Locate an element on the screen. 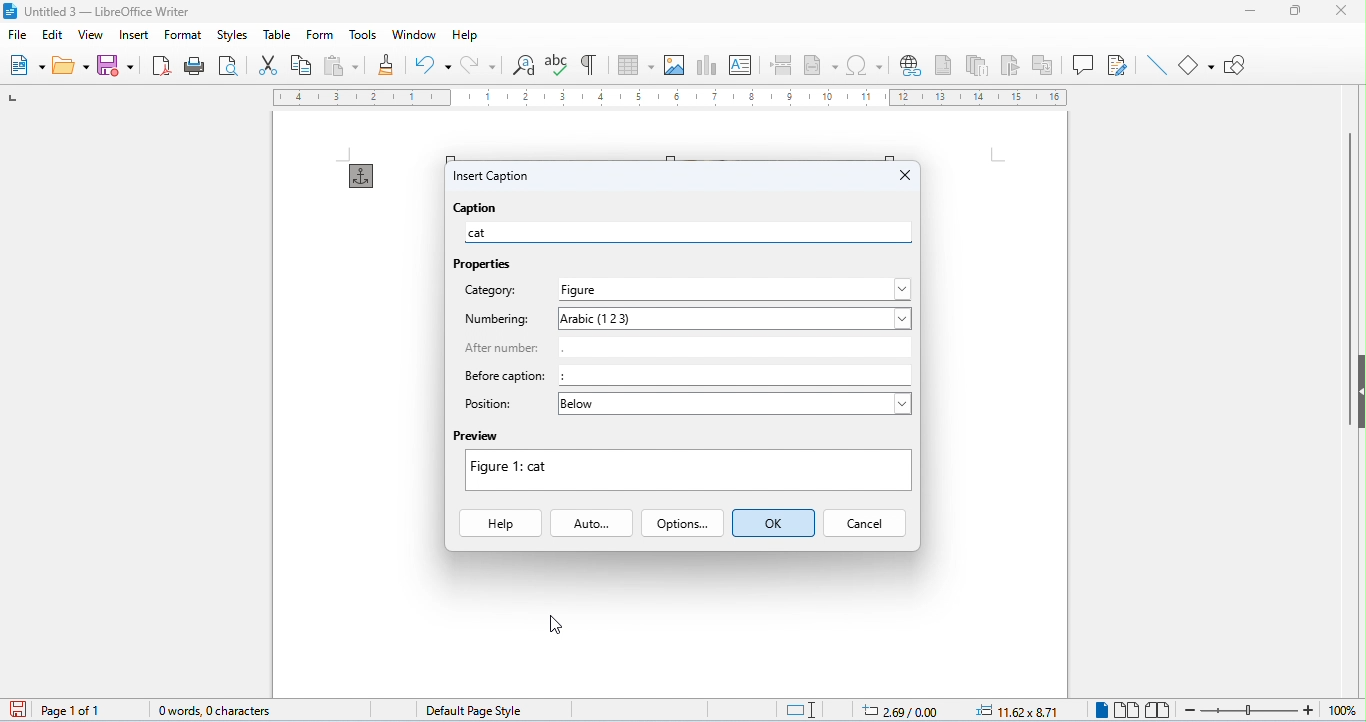 The height and width of the screenshot is (722, 1366). select position is located at coordinates (737, 404).